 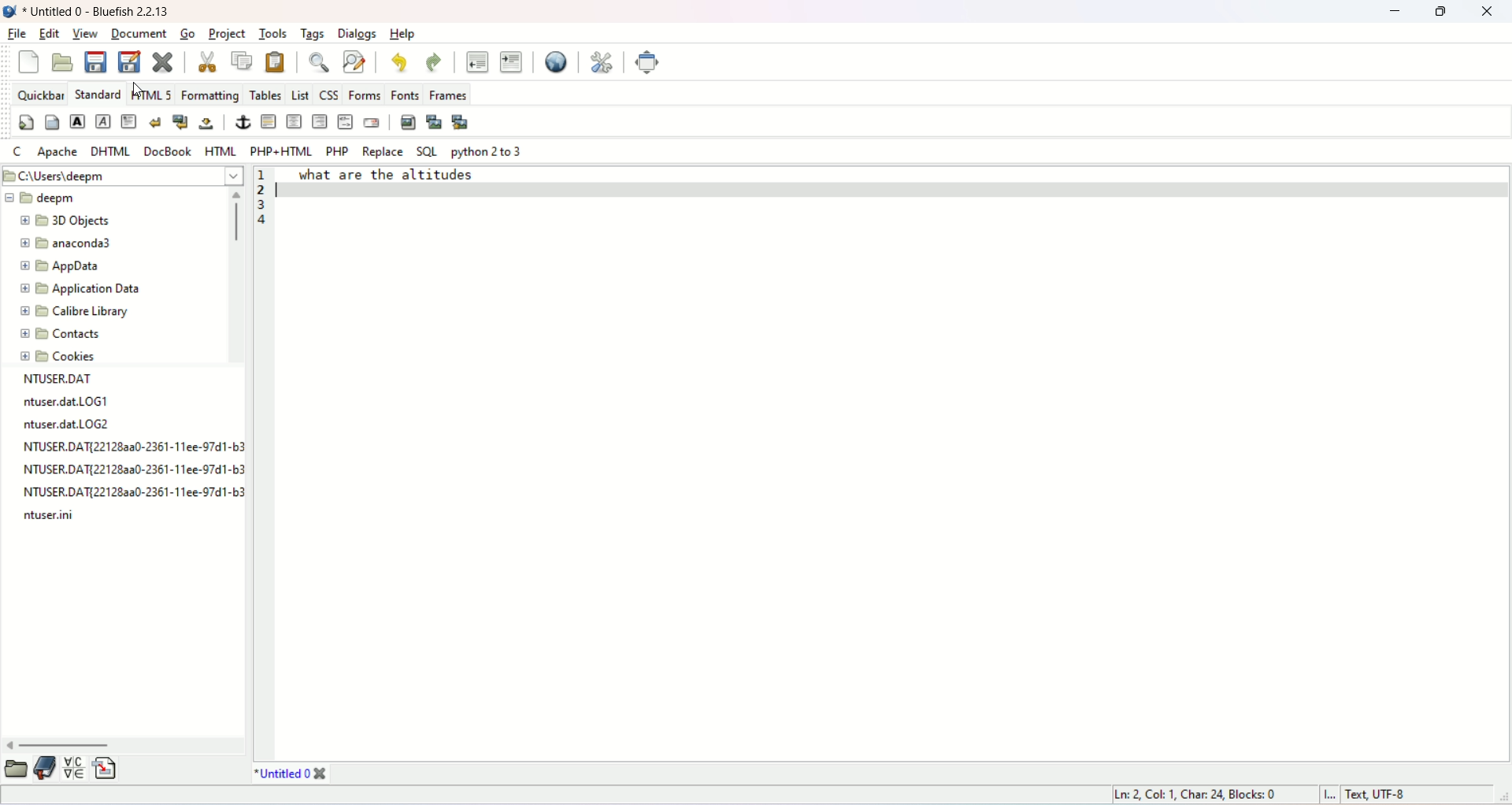 I want to click on project, so click(x=227, y=35).